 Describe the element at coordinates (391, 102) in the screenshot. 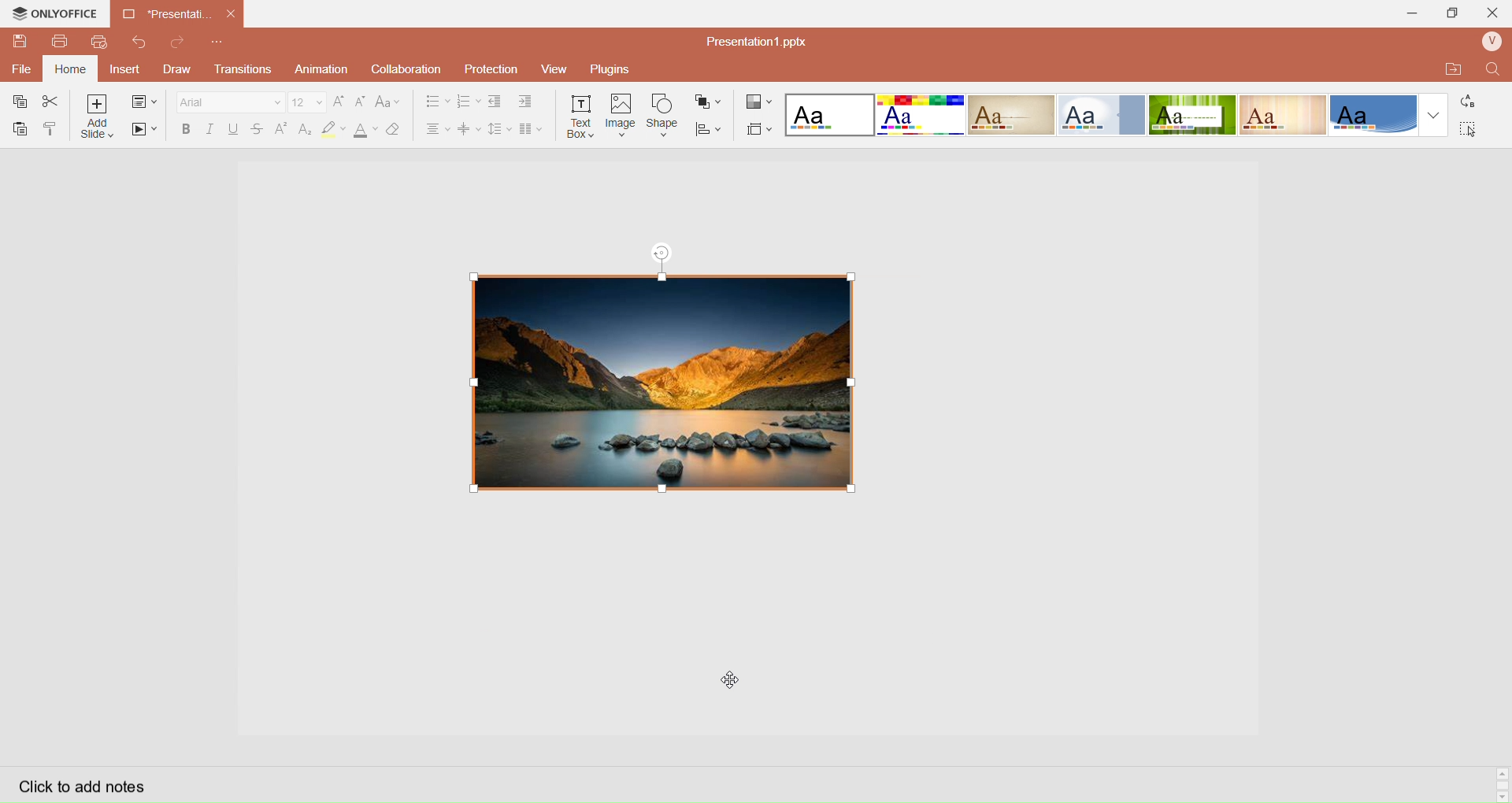

I see `Change Case` at that location.